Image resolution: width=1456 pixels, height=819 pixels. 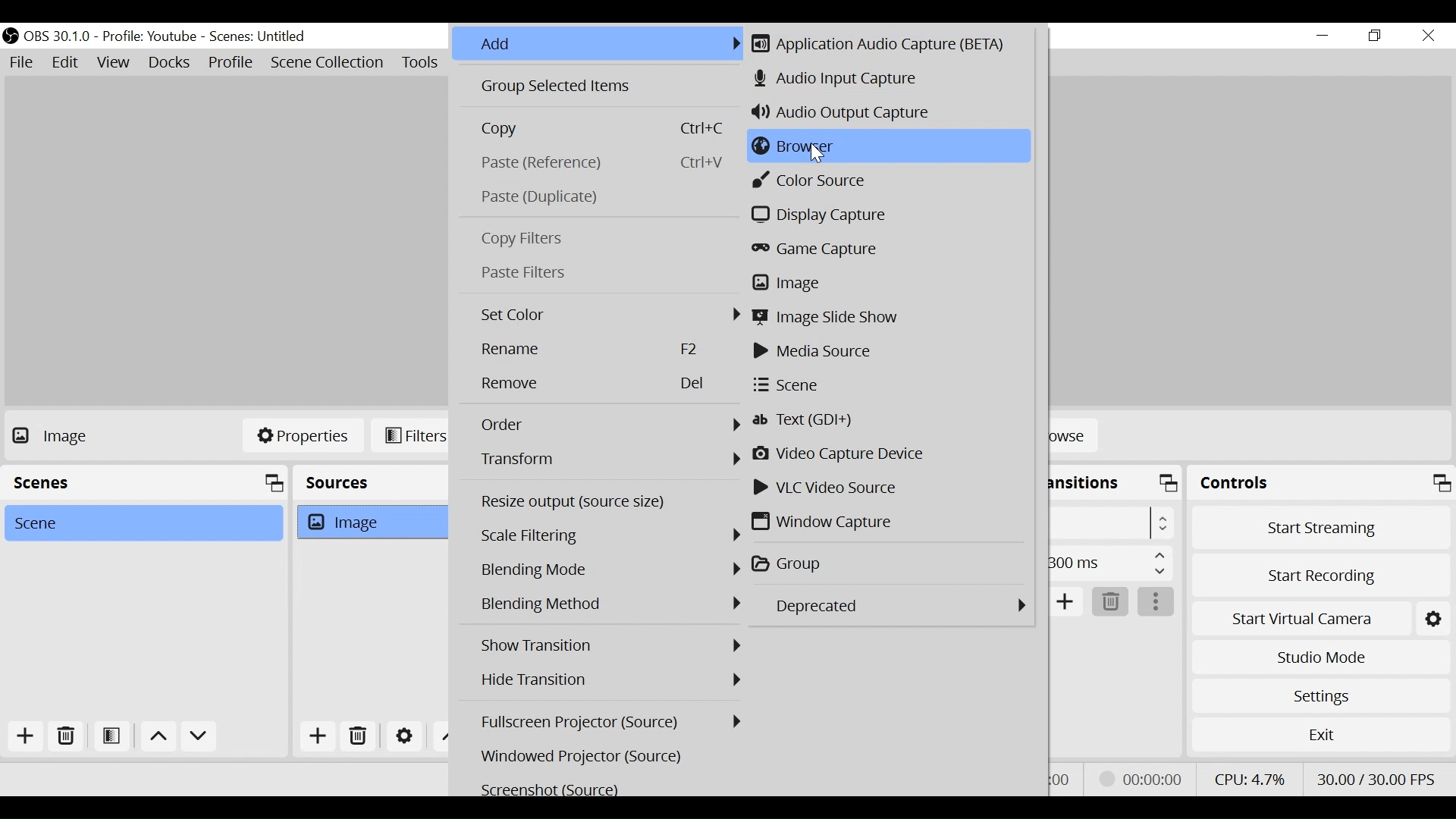 I want to click on Add, so click(x=1064, y=602).